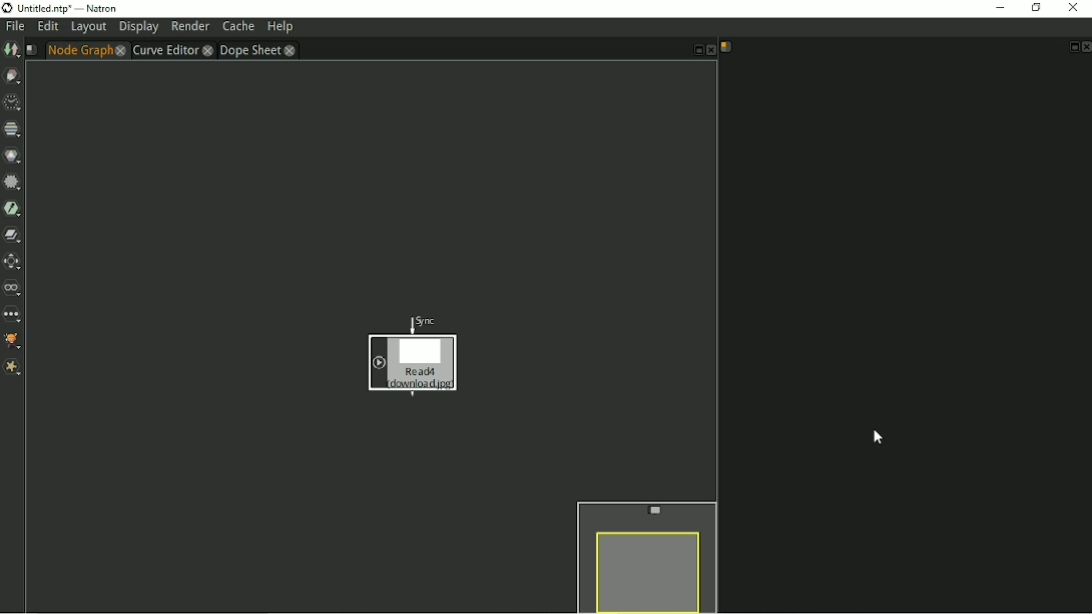  Describe the element at coordinates (13, 369) in the screenshot. I see `Extra` at that location.